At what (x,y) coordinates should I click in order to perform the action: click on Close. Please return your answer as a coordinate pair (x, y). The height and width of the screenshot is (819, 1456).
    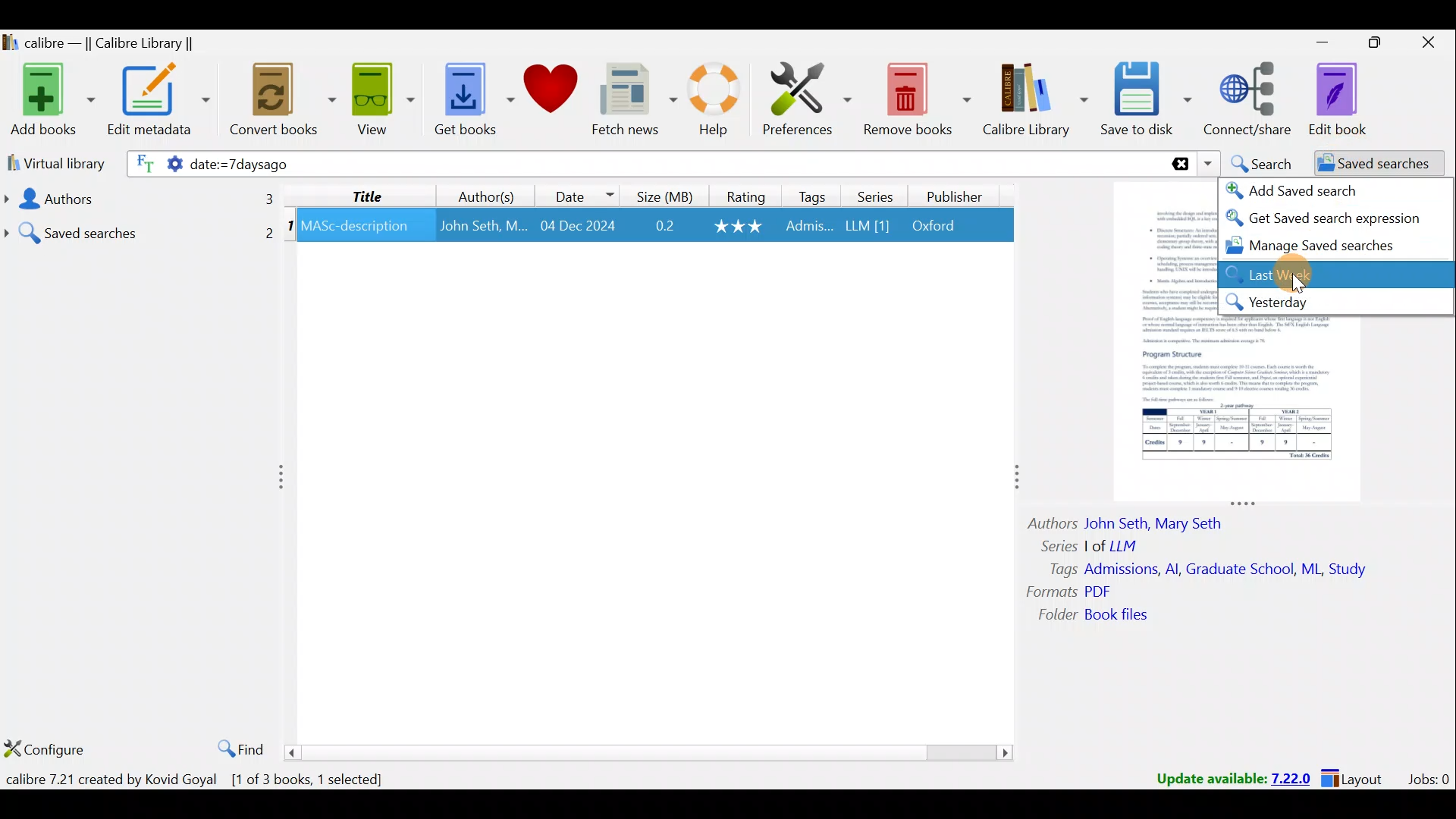
    Looking at the image, I should click on (1426, 45).